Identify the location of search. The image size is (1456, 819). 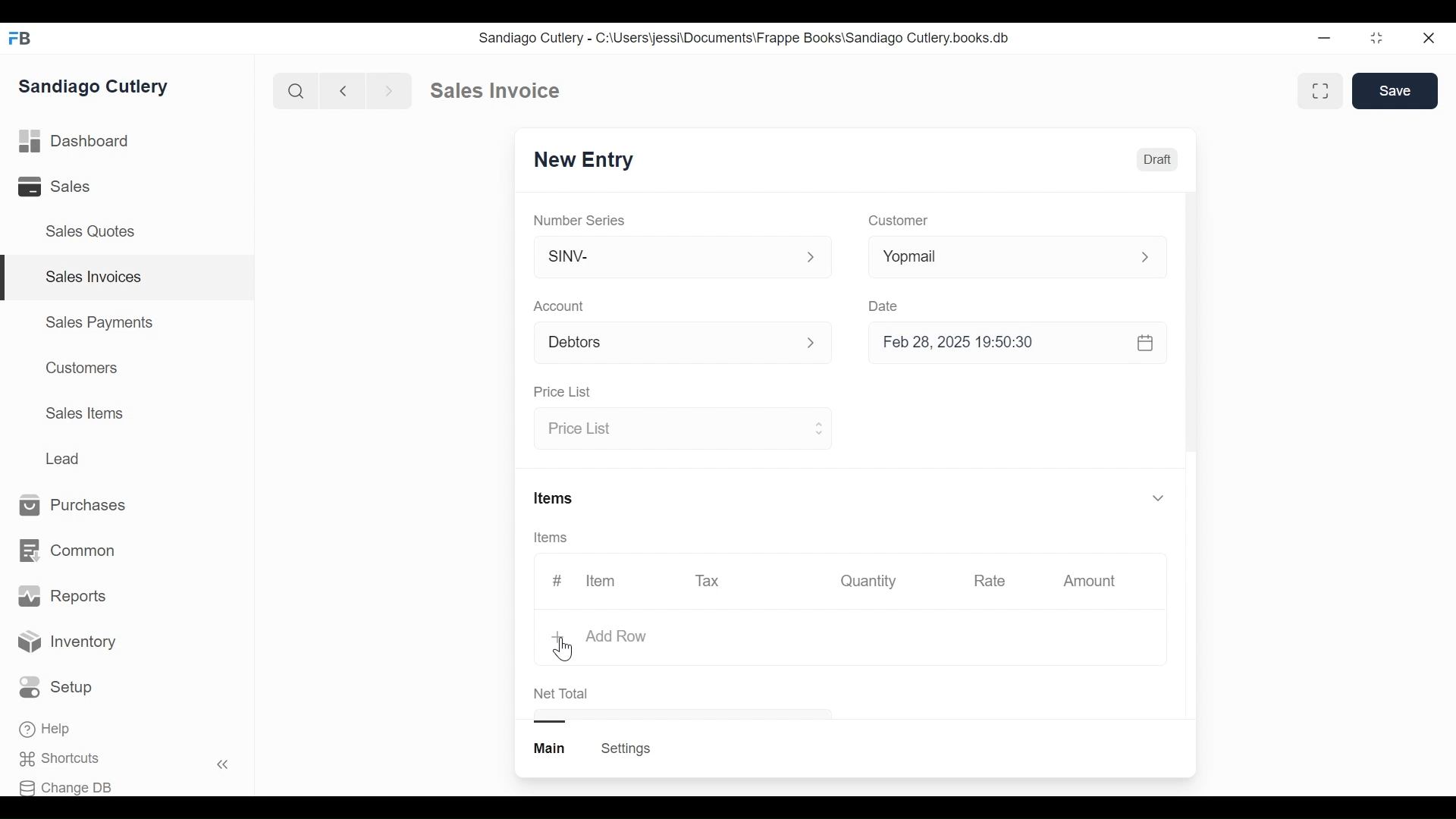
(297, 92).